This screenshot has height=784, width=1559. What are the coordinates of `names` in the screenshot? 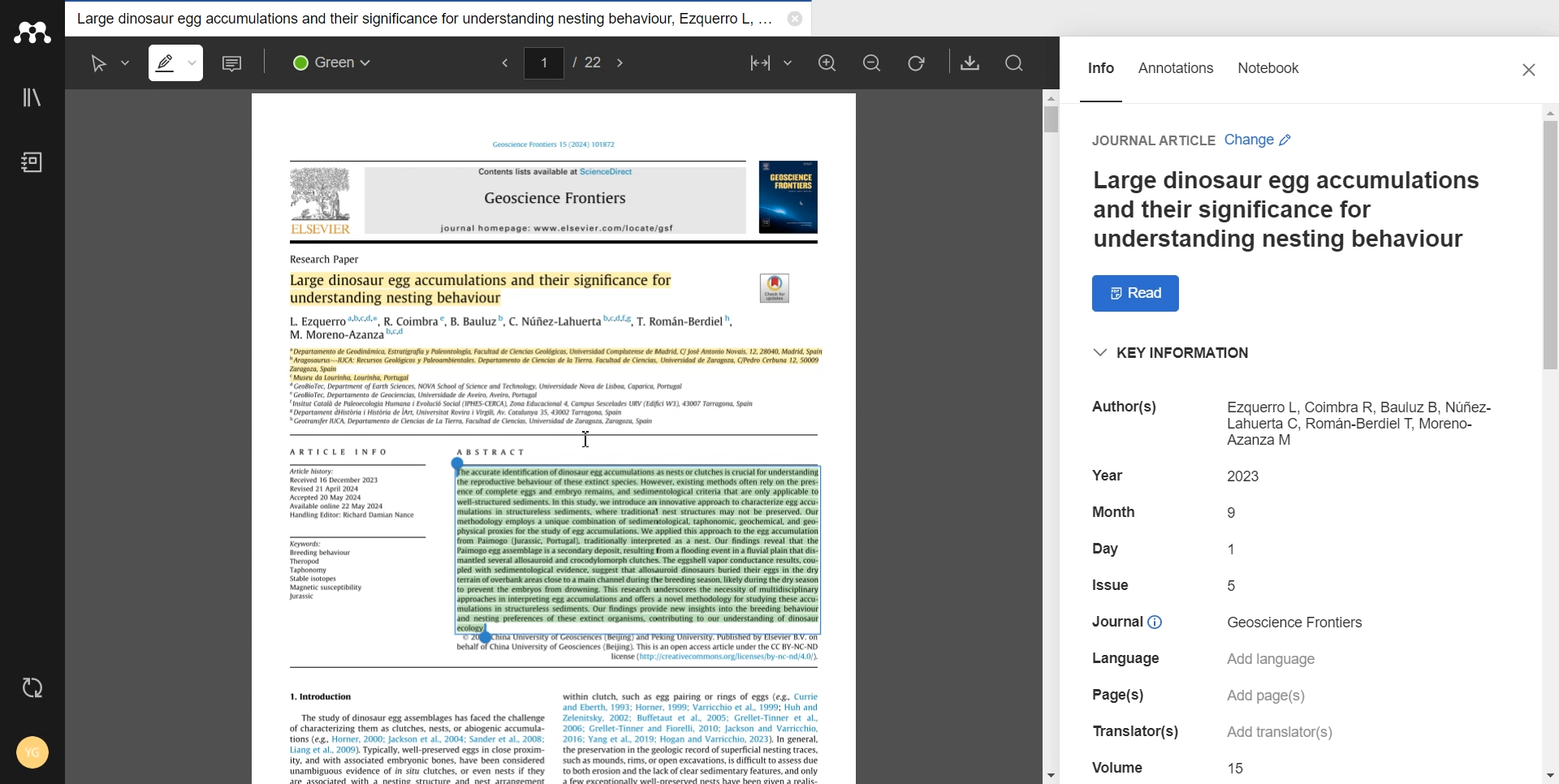 It's located at (511, 326).